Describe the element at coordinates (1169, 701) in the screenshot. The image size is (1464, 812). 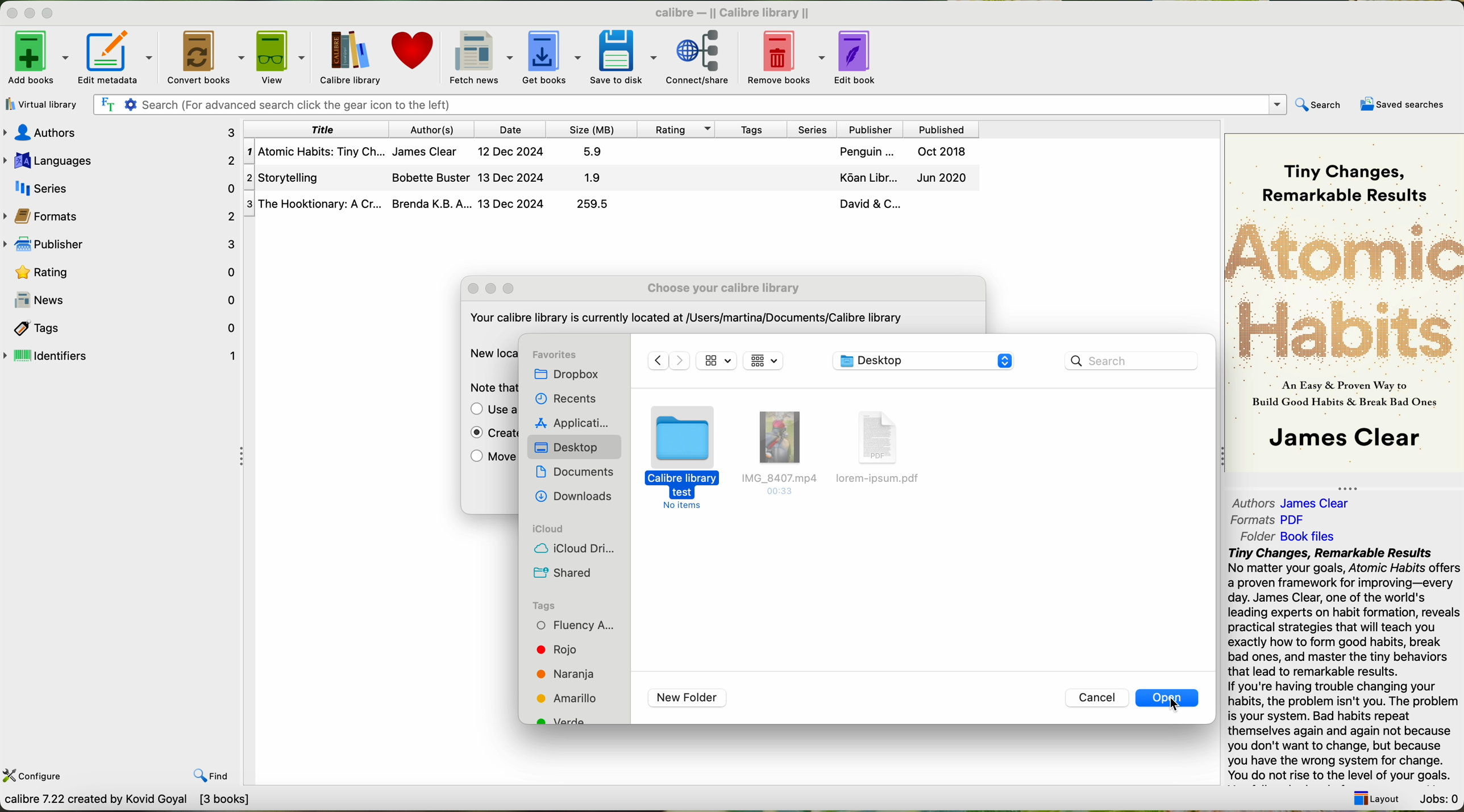
I see `click on open button` at that location.